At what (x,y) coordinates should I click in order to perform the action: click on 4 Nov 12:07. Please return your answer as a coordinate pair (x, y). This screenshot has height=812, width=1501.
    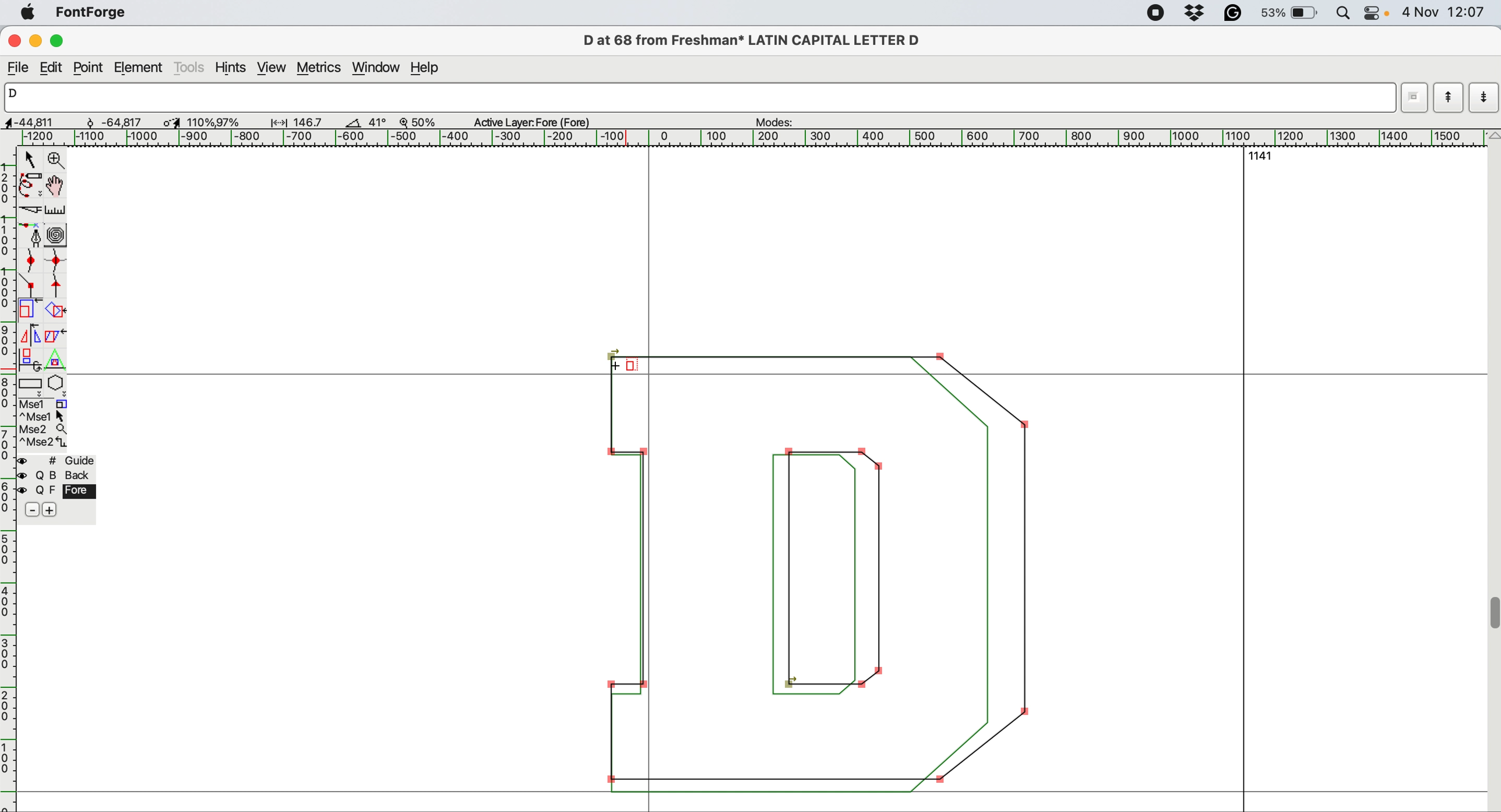
    Looking at the image, I should click on (1444, 12).